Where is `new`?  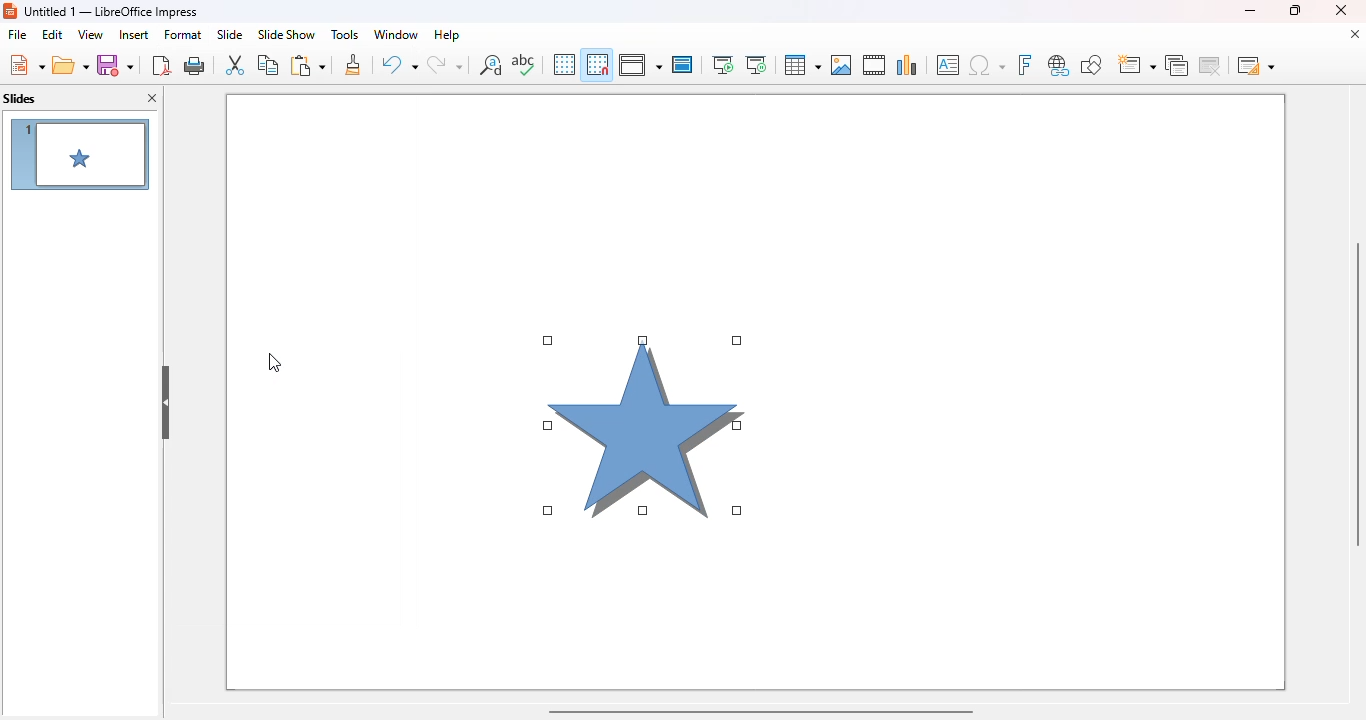 new is located at coordinates (26, 65).